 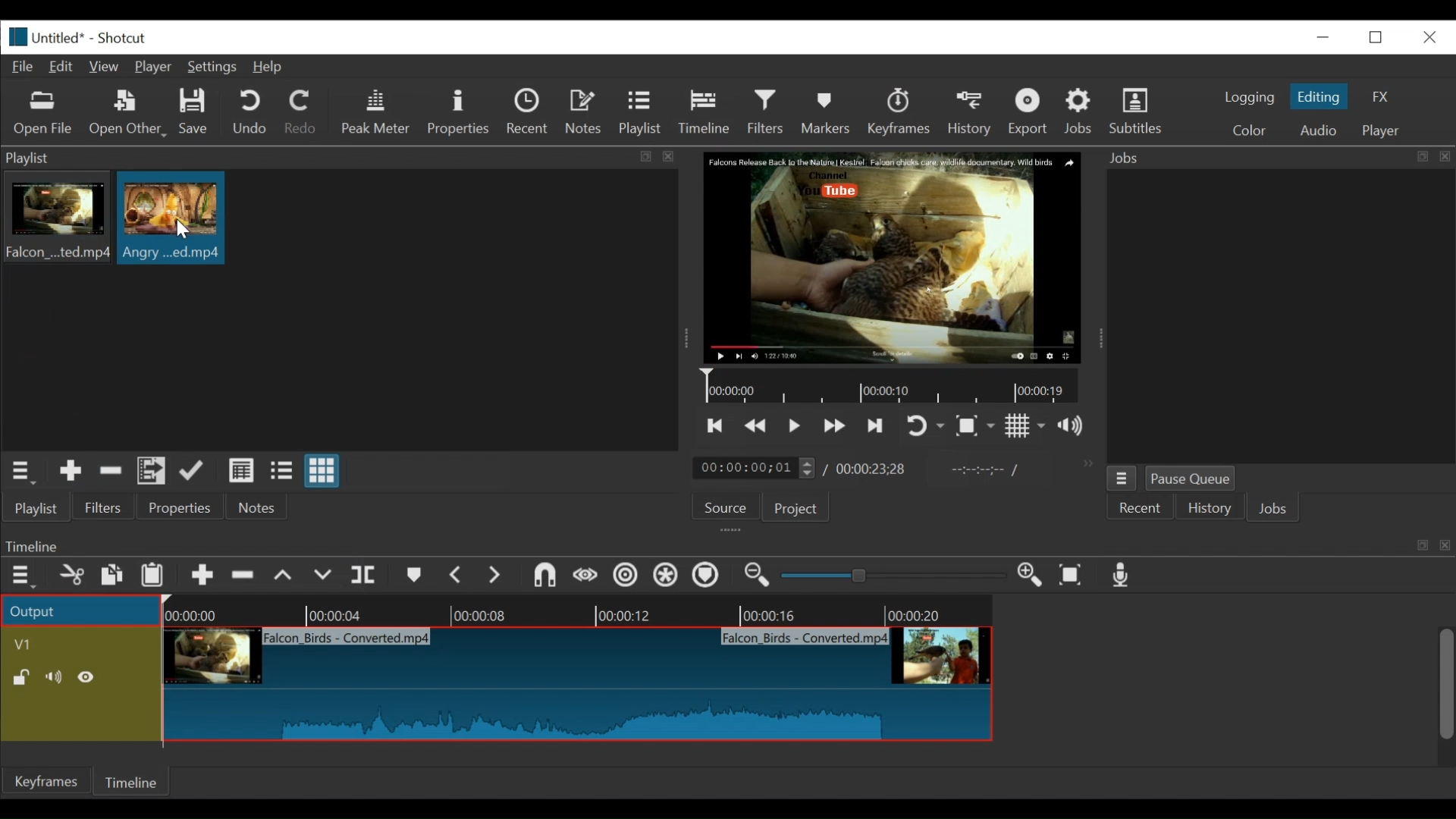 What do you see at coordinates (1031, 114) in the screenshot?
I see `Export` at bounding box center [1031, 114].